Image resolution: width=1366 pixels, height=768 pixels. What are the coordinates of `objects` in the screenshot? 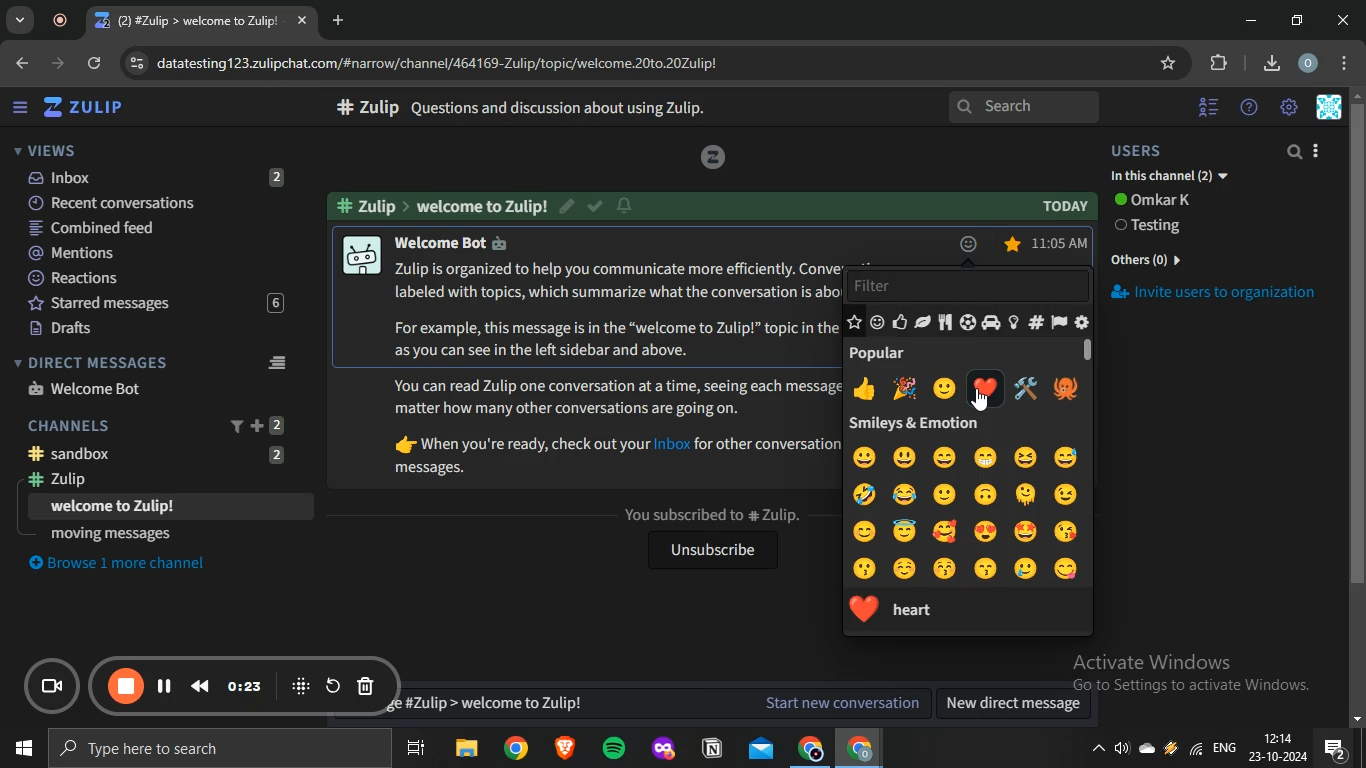 It's located at (1013, 322).